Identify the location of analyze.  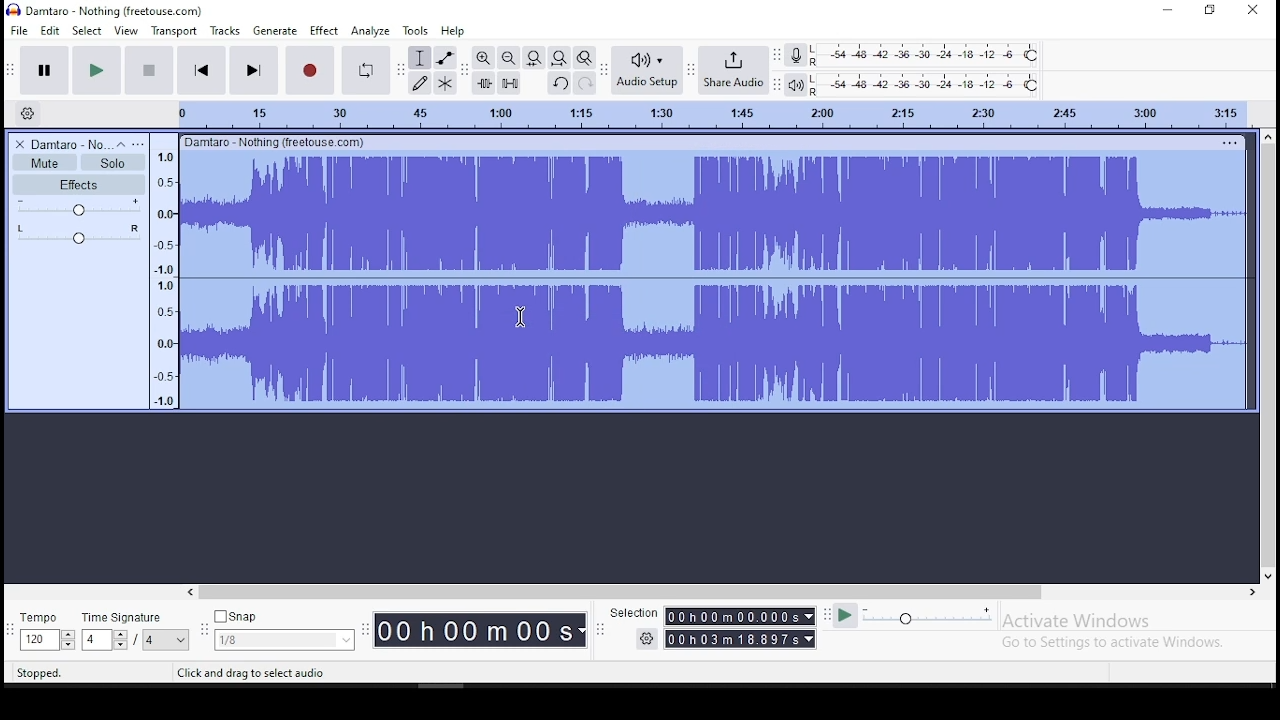
(370, 32).